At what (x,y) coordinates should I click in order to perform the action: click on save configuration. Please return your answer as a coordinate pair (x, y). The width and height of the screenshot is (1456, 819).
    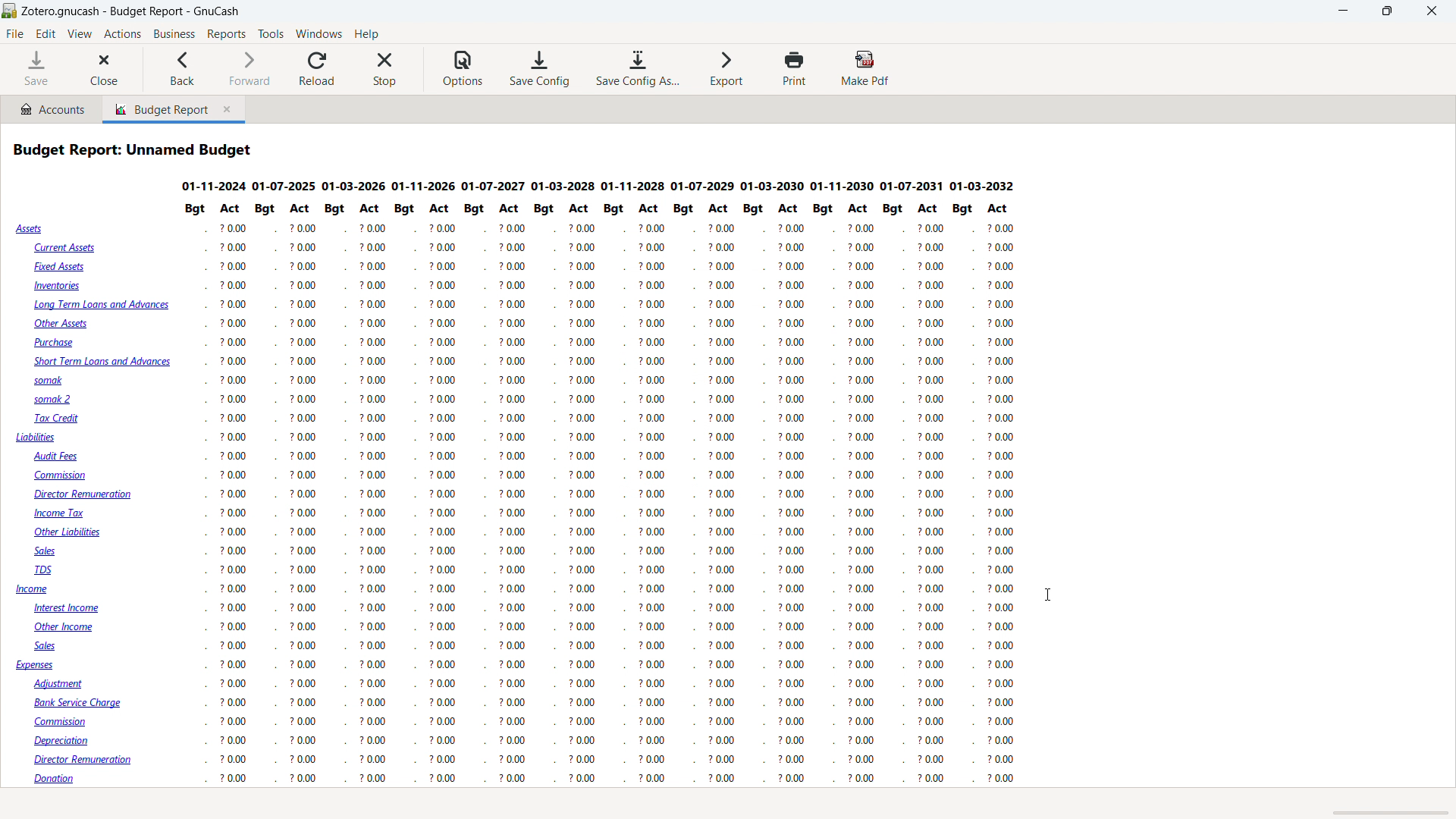
    Looking at the image, I should click on (540, 69).